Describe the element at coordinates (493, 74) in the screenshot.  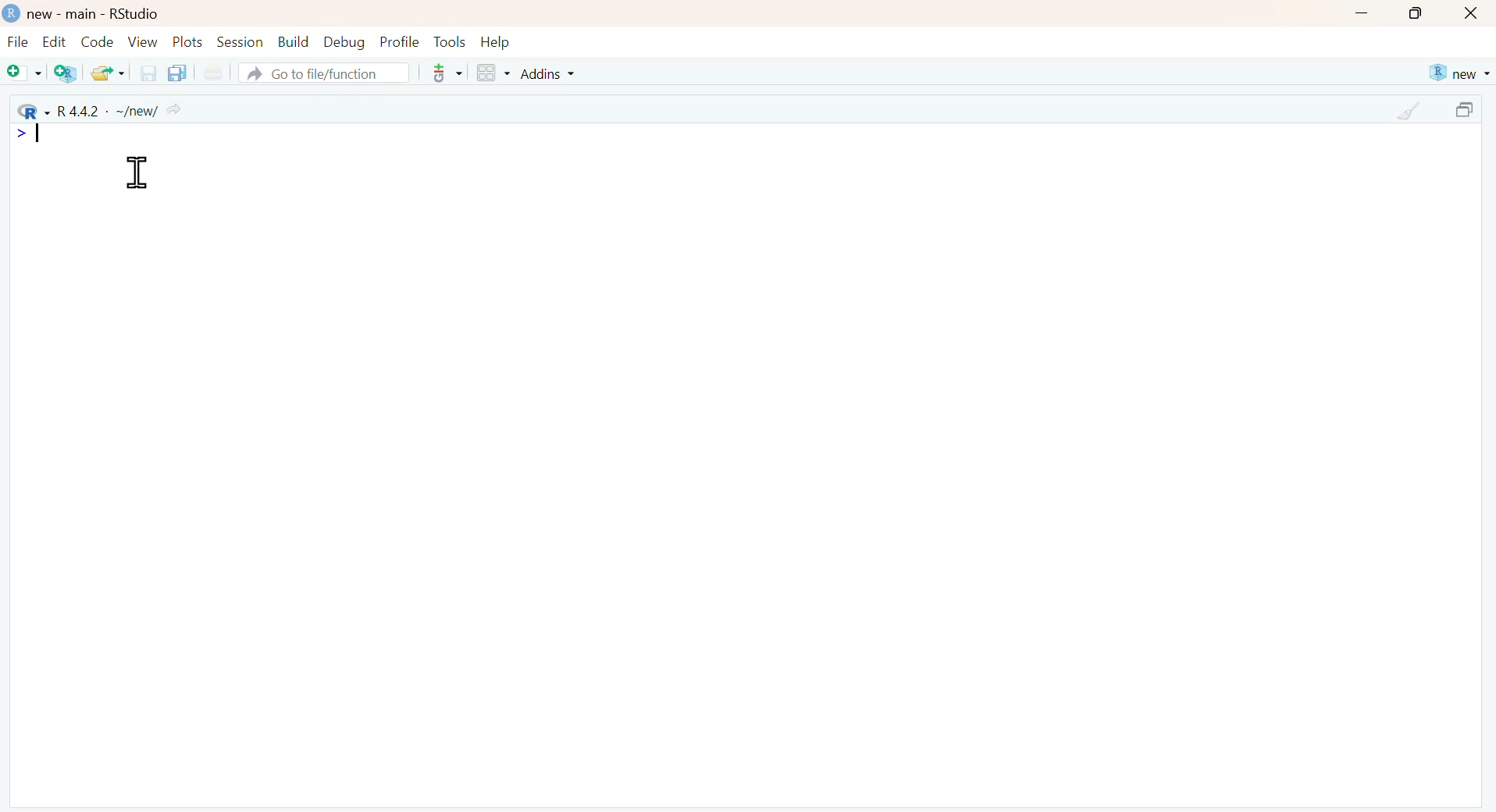
I see `Workspace panes` at that location.